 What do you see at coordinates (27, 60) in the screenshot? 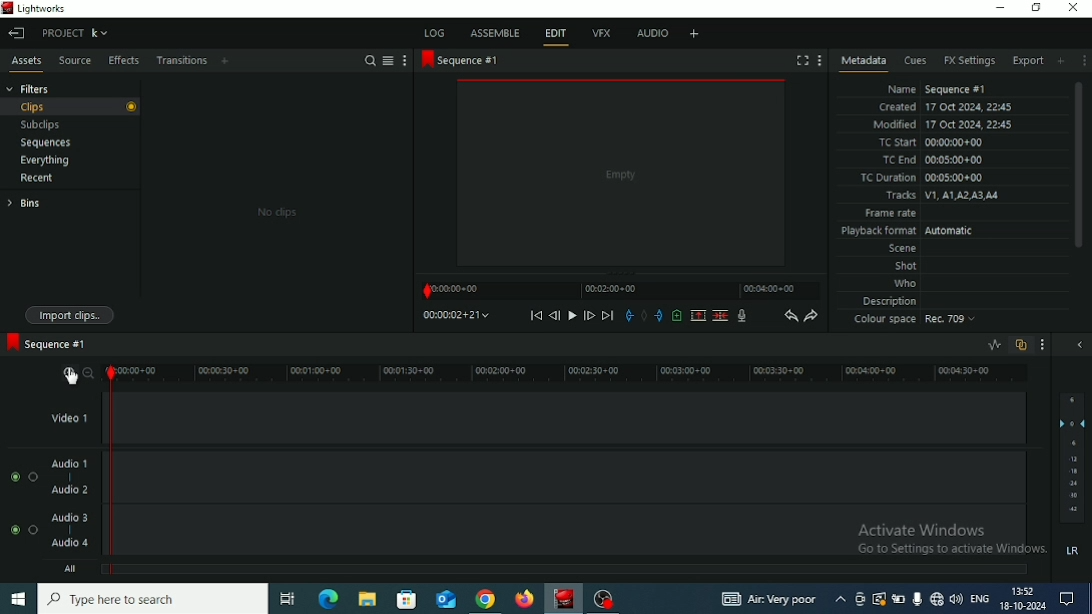
I see `Assets` at bounding box center [27, 60].